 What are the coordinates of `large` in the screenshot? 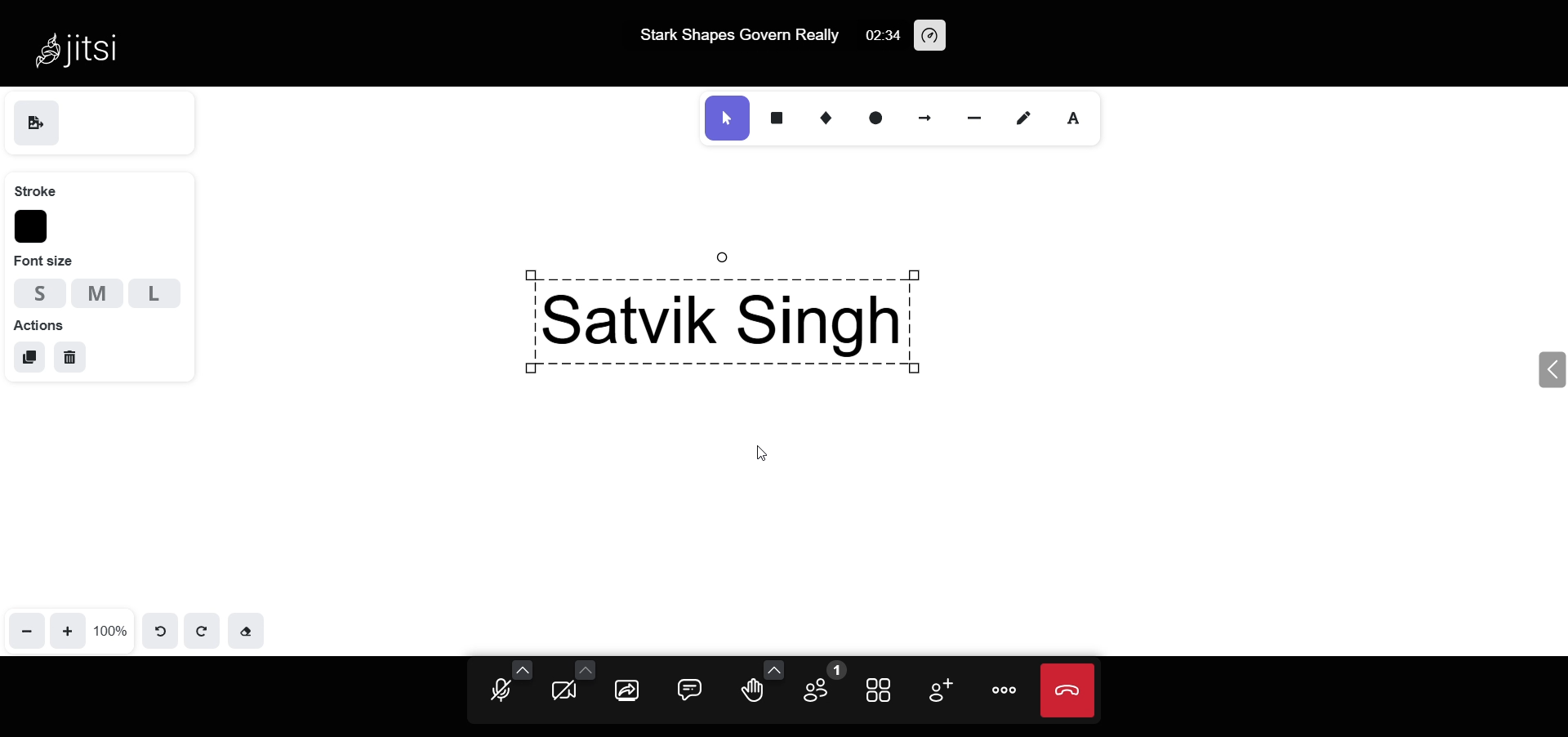 It's located at (155, 294).